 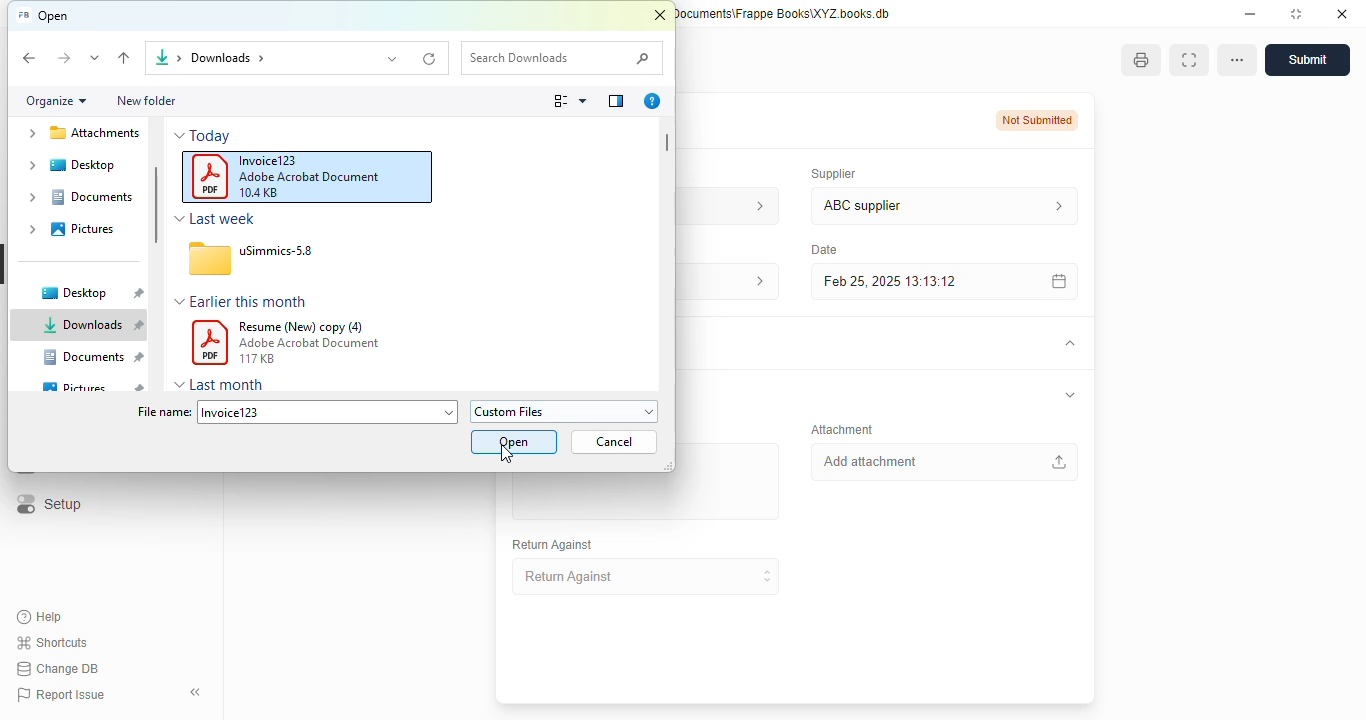 I want to click on file name input field, so click(x=328, y=411).